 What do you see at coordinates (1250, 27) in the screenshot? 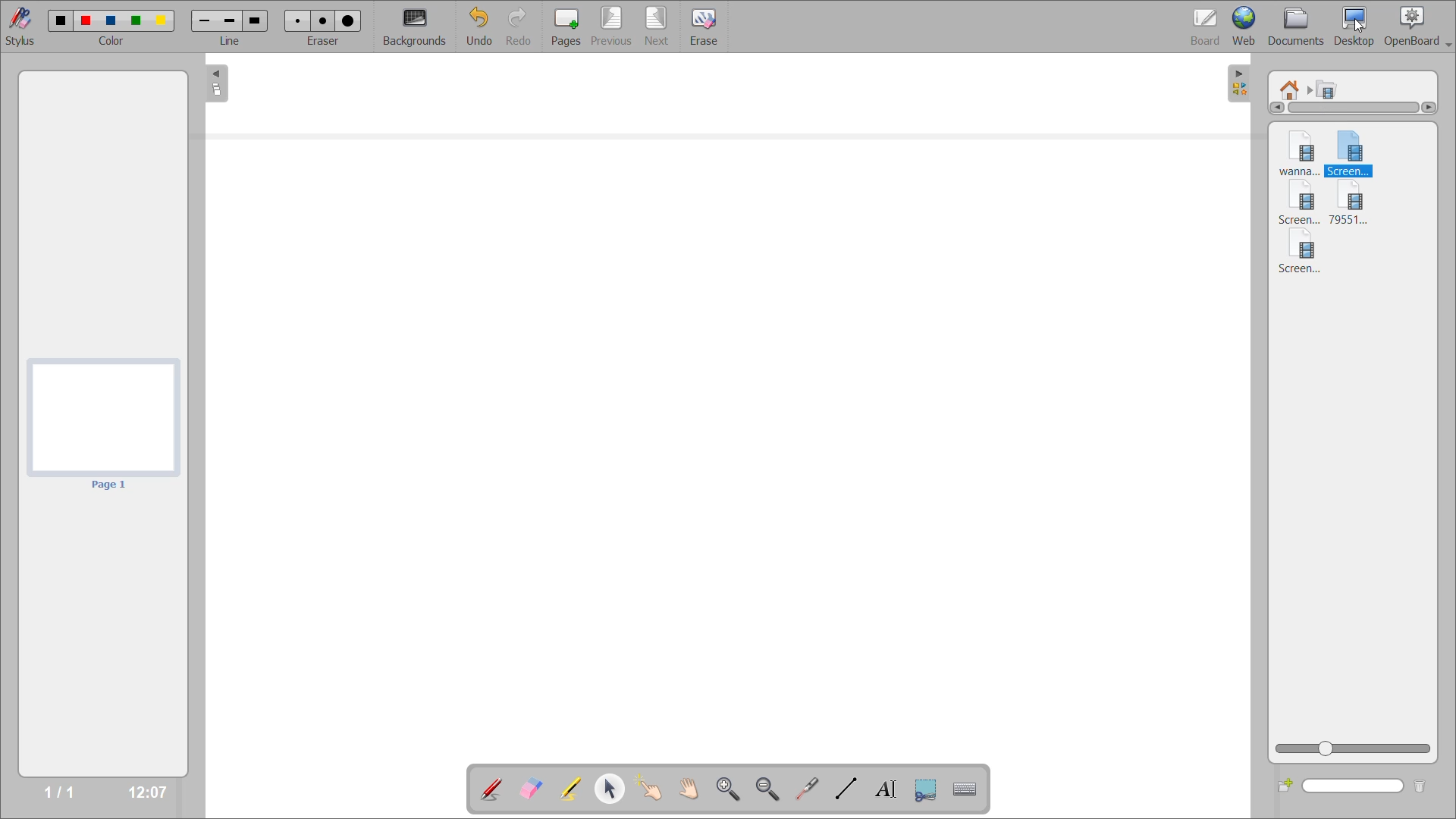
I see `web` at bounding box center [1250, 27].